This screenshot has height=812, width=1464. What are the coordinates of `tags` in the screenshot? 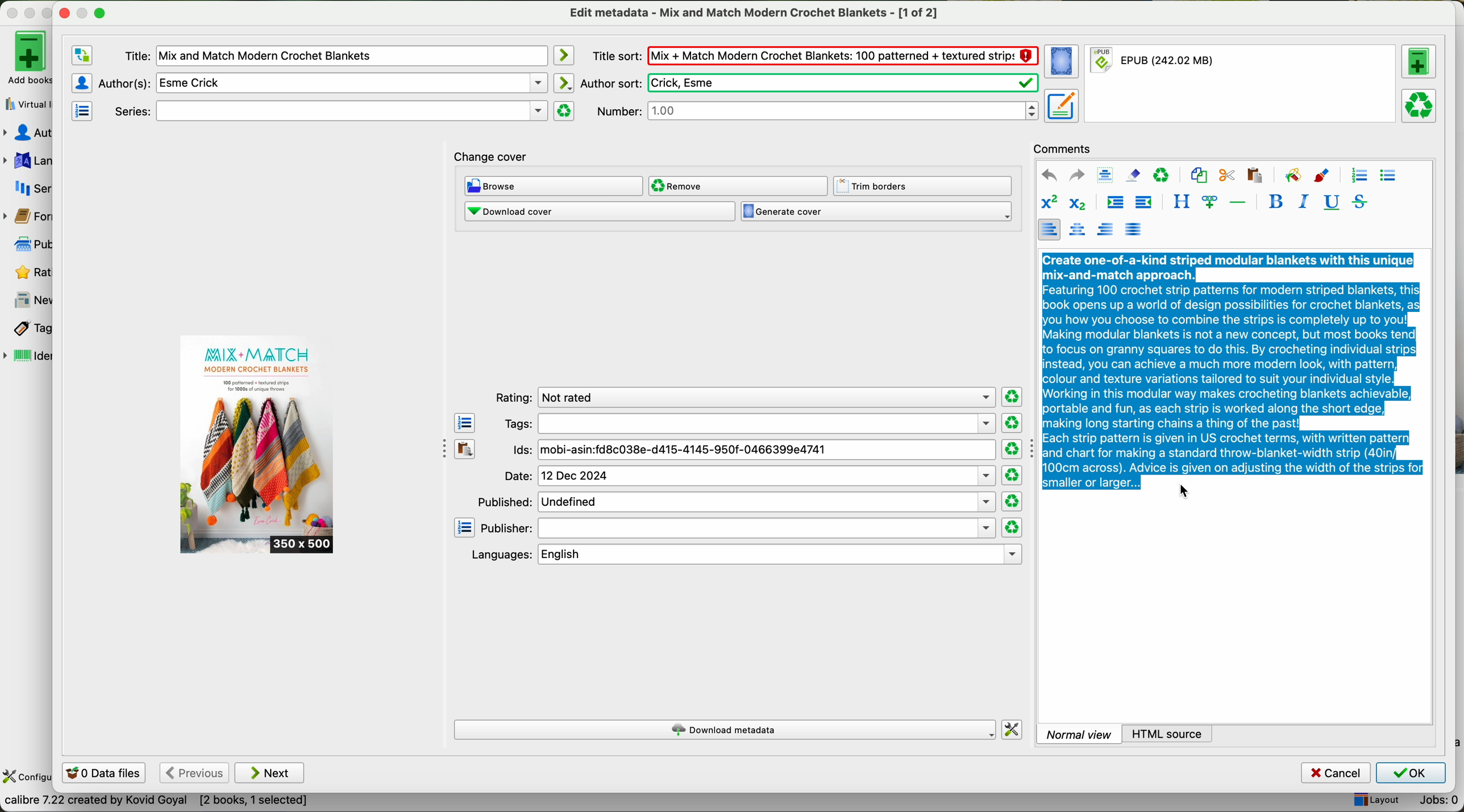 It's located at (27, 329).